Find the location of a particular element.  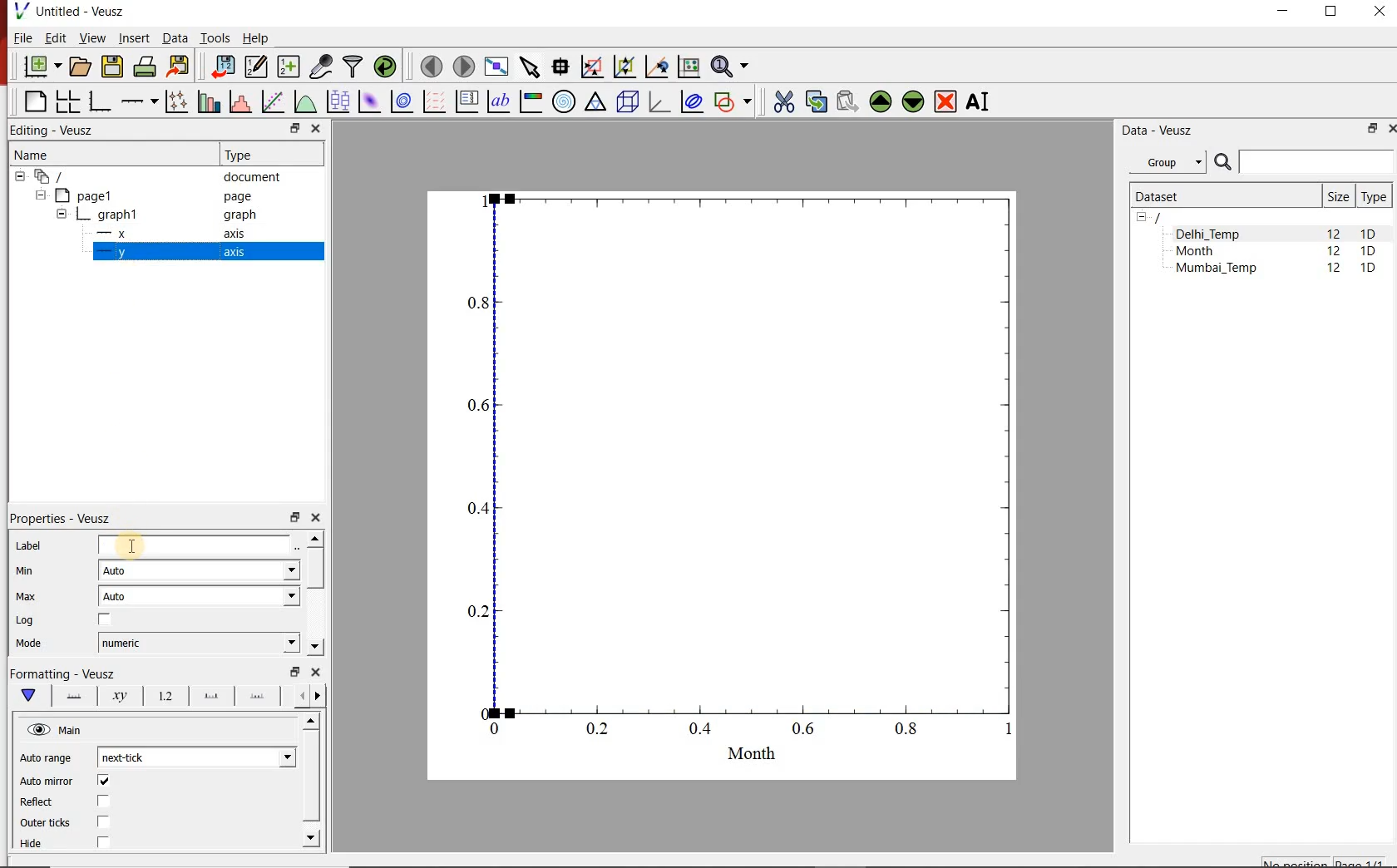

Ternary graph is located at coordinates (595, 103).